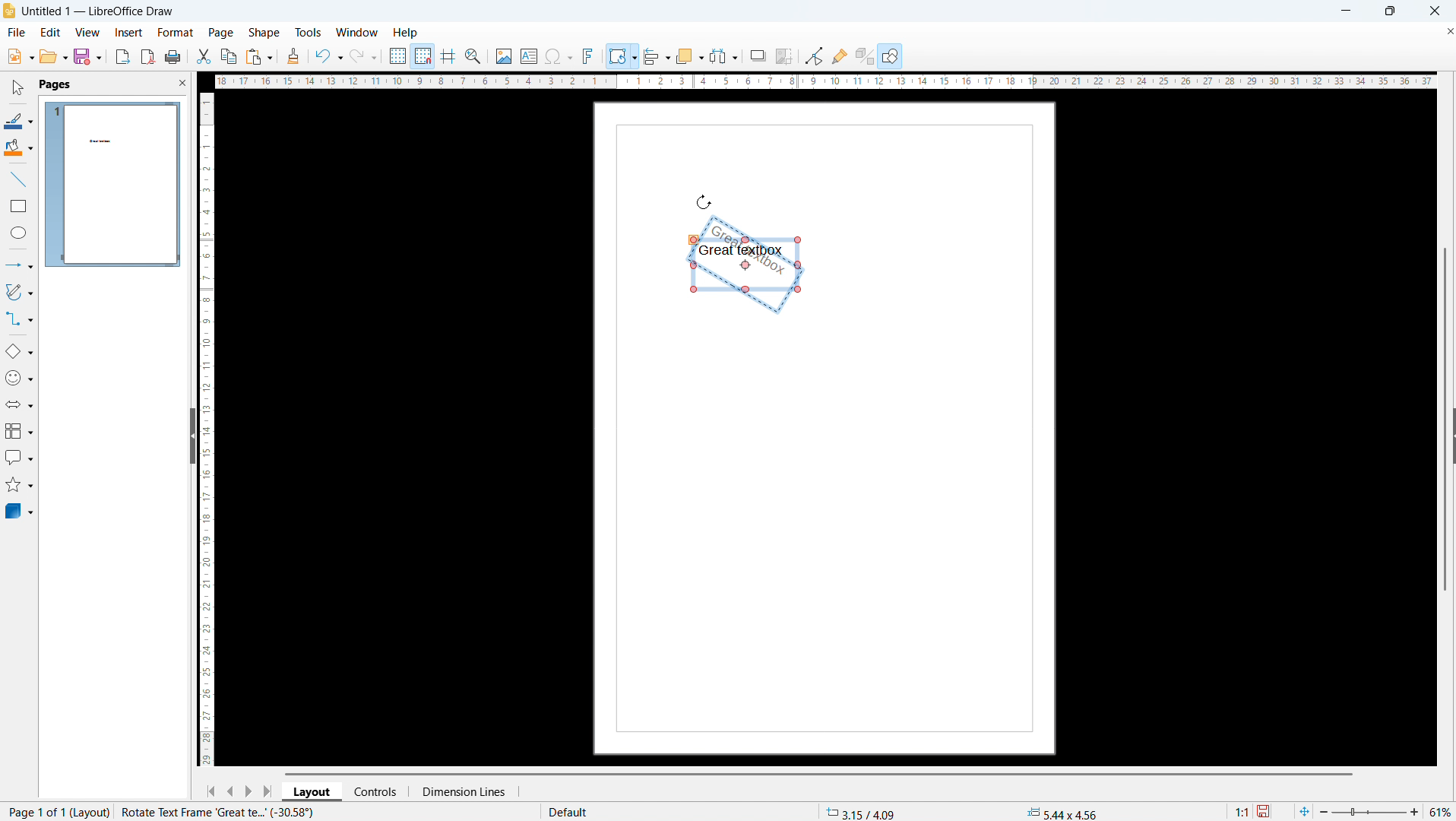 The width and height of the screenshot is (1456, 821). Describe the element at coordinates (397, 55) in the screenshot. I see `show grid` at that location.